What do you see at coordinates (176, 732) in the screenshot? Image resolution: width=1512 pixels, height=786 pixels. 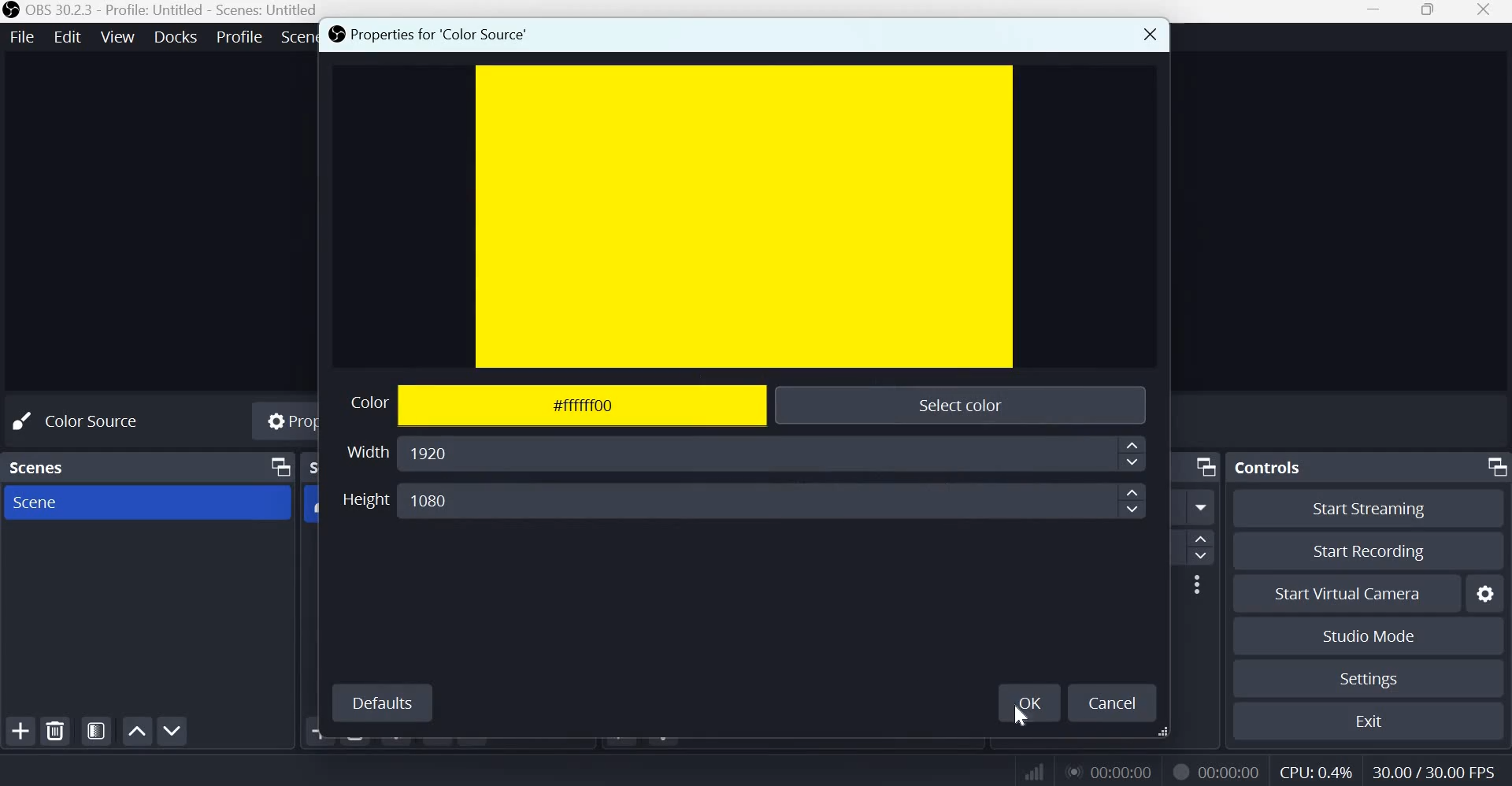 I see `Move scene down` at bounding box center [176, 732].